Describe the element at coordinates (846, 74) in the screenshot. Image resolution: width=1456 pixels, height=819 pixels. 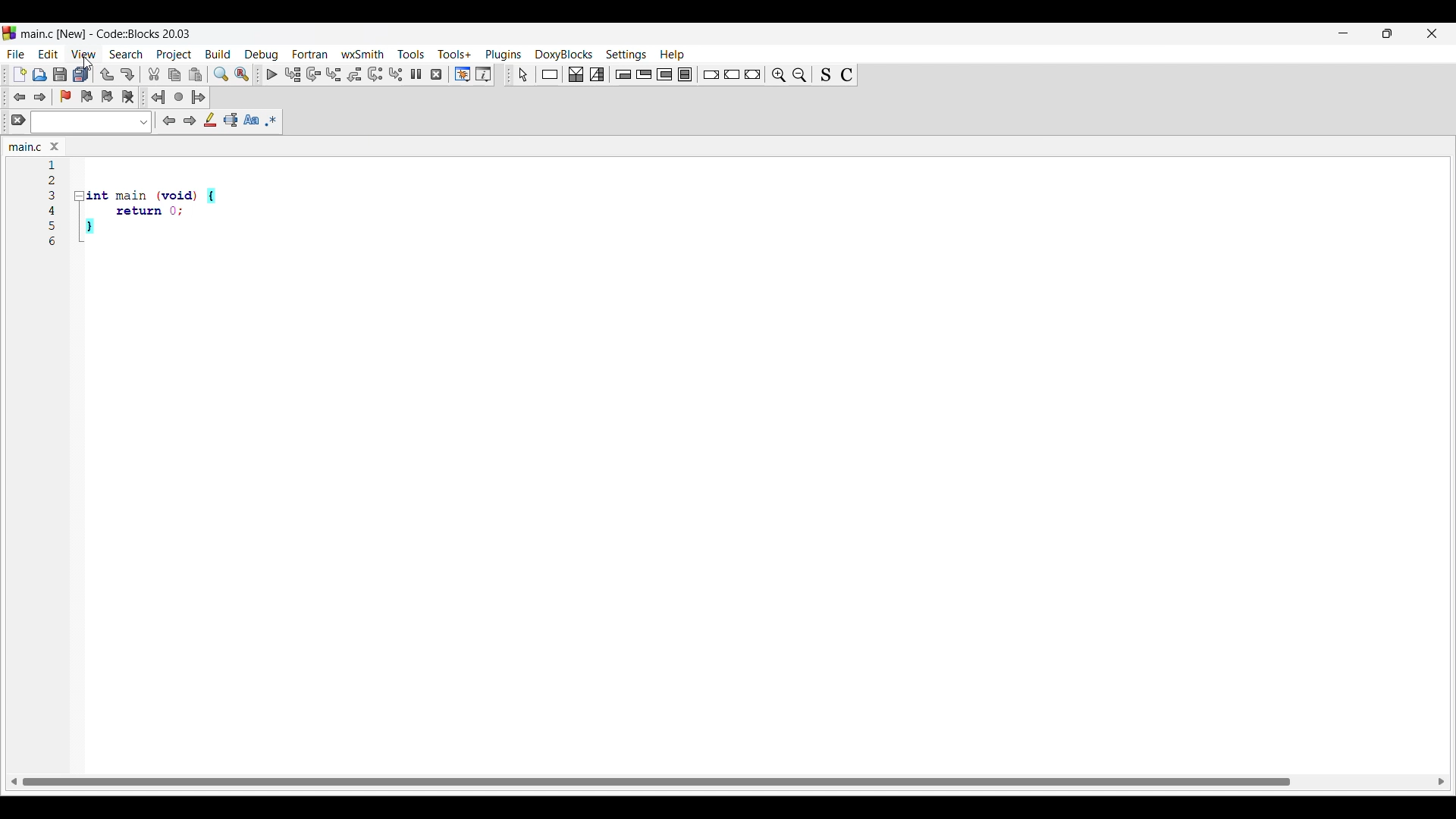
I see `Toggle comments` at that location.